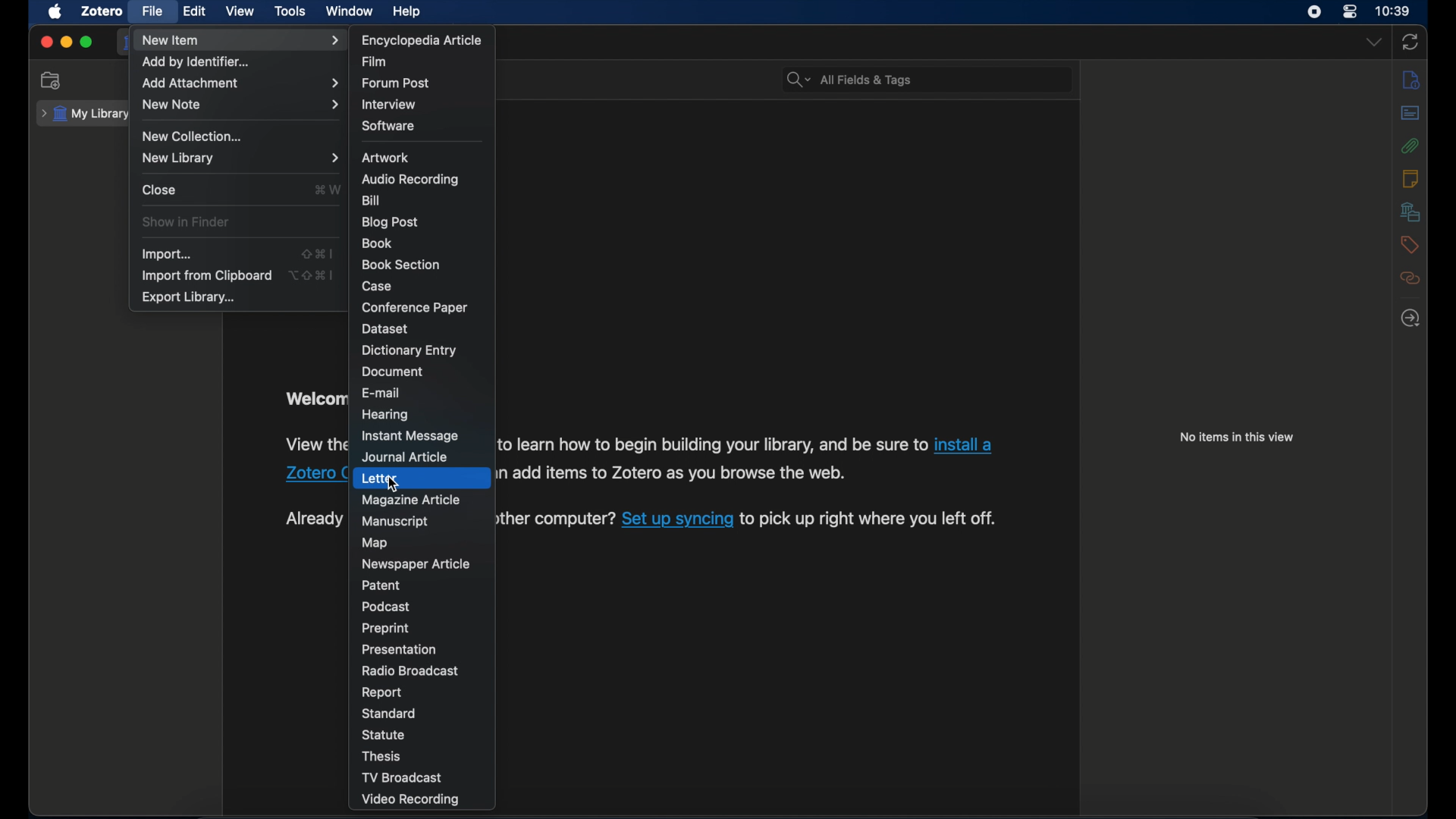 The image size is (1456, 819). I want to click on tools, so click(290, 11).